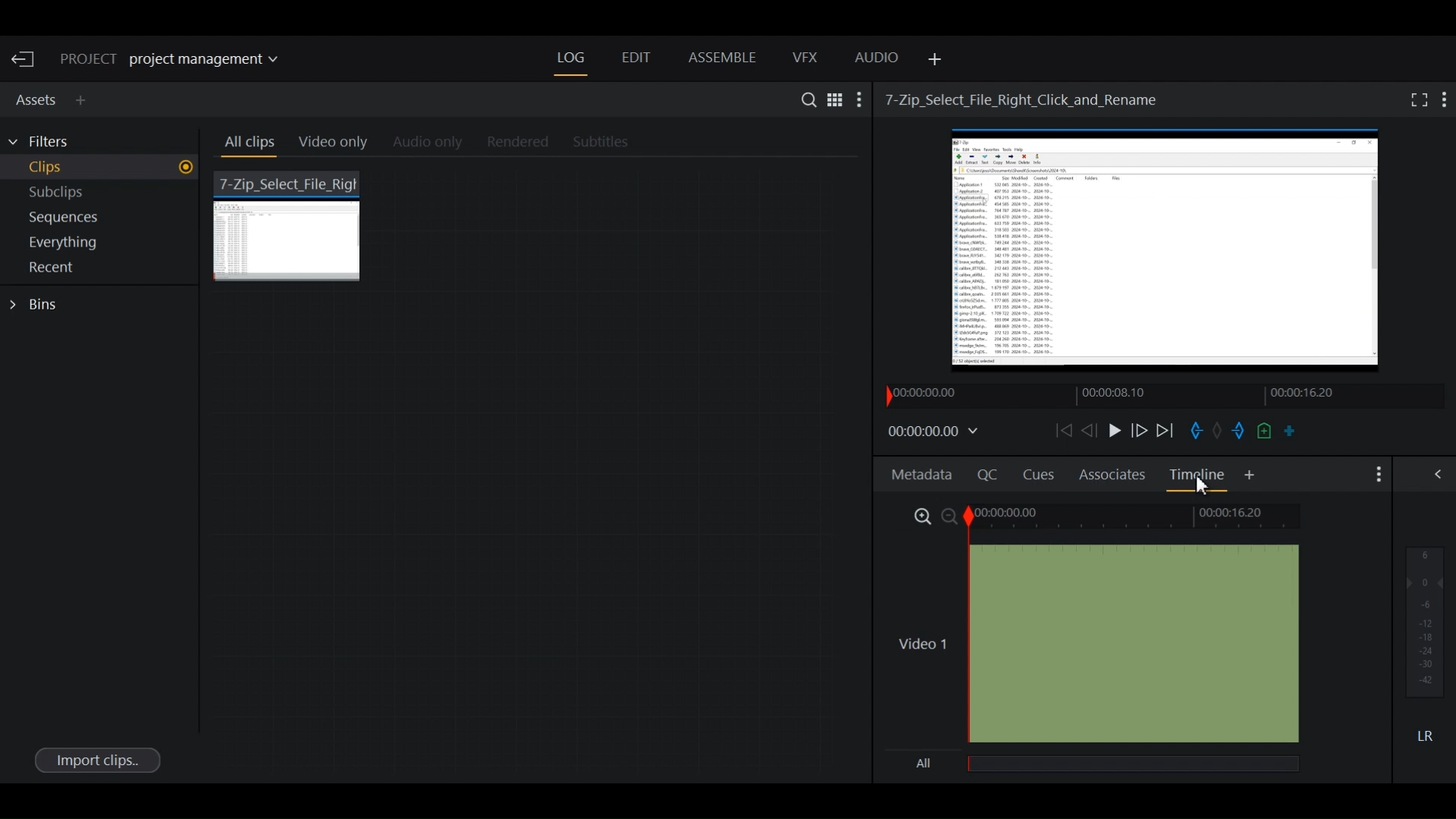 This screenshot has width=1456, height=819. What do you see at coordinates (1094, 516) in the screenshot?
I see `Zoom Timeline` at bounding box center [1094, 516].